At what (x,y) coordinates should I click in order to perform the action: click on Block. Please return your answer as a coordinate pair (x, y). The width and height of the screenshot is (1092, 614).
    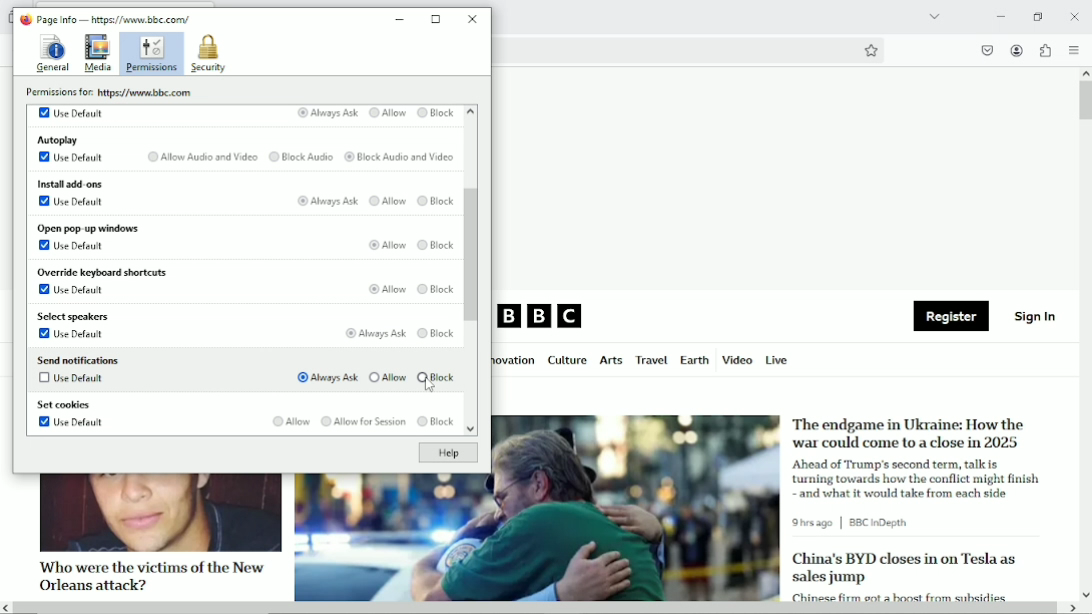
    Looking at the image, I should click on (436, 113).